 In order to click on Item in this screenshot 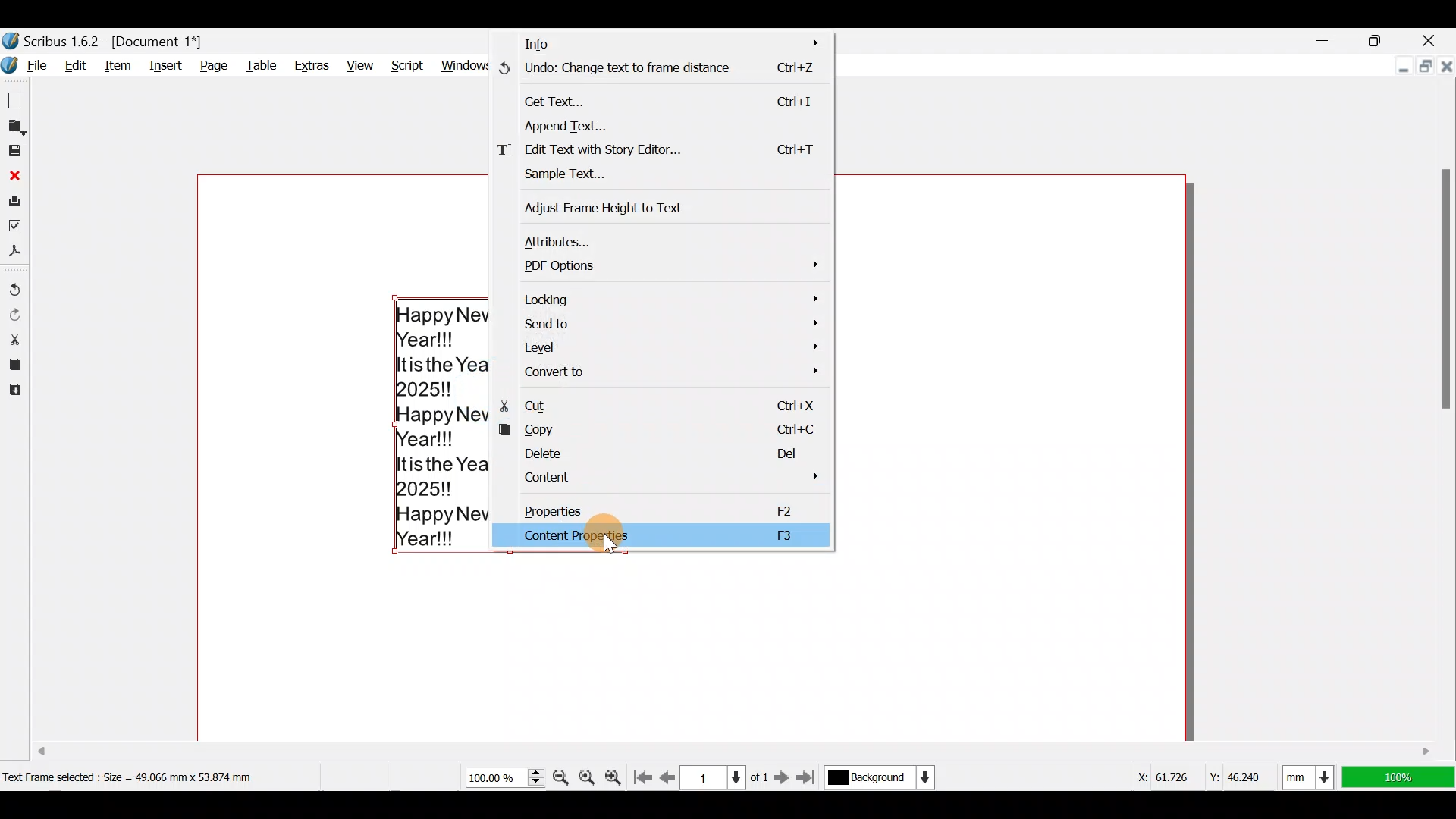, I will do `click(121, 64)`.